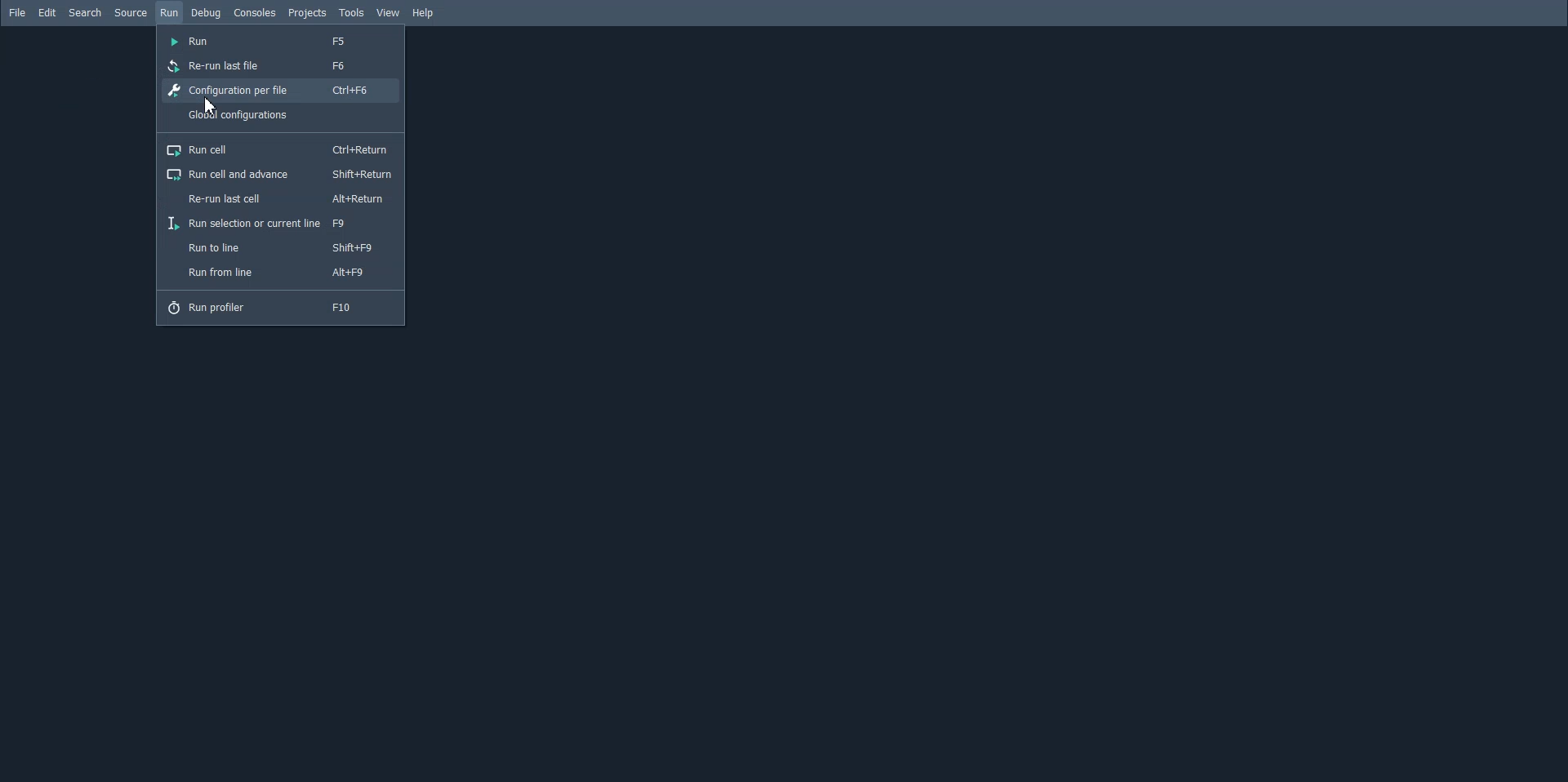 The height and width of the screenshot is (782, 1568). Describe the element at coordinates (388, 13) in the screenshot. I see `View` at that location.